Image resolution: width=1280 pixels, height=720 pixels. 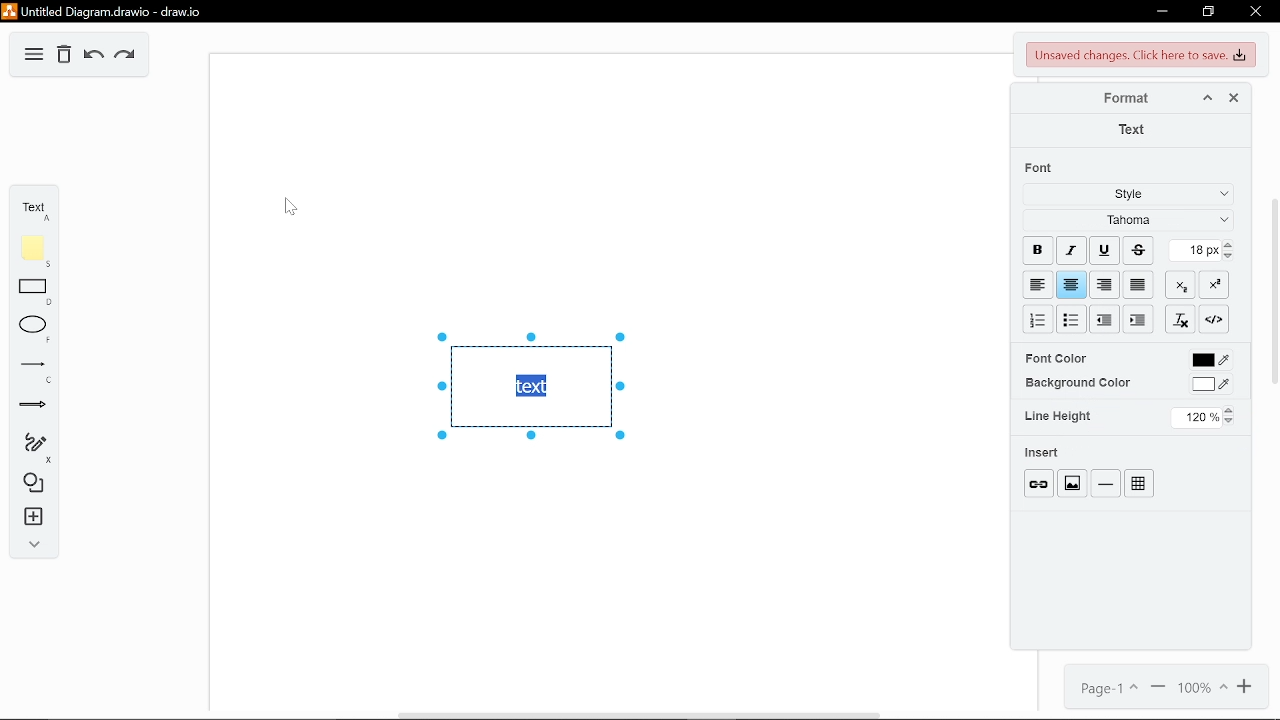 I want to click on diagram, so click(x=34, y=54).